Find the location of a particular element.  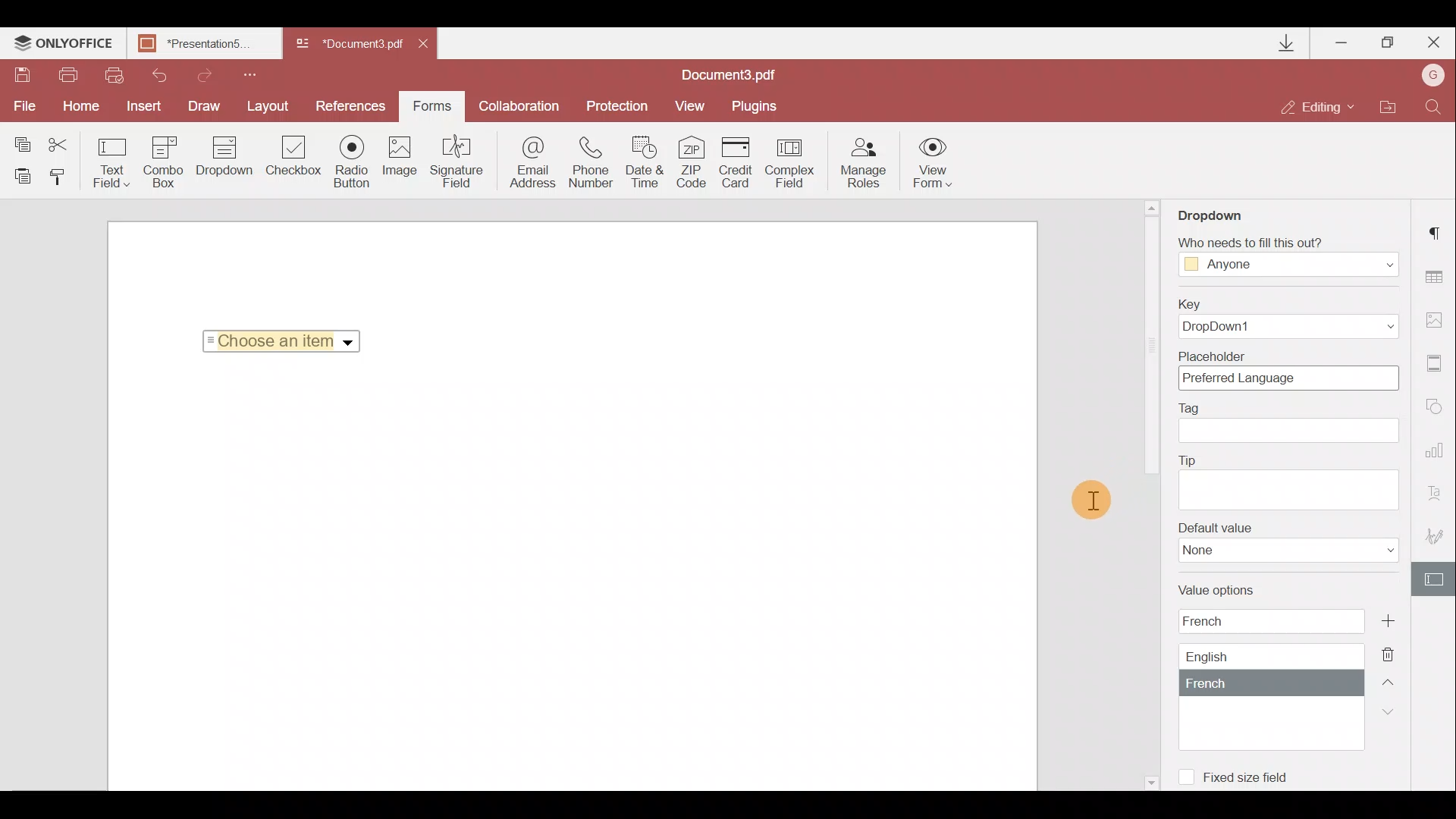

Table settings is located at coordinates (1436, 277).